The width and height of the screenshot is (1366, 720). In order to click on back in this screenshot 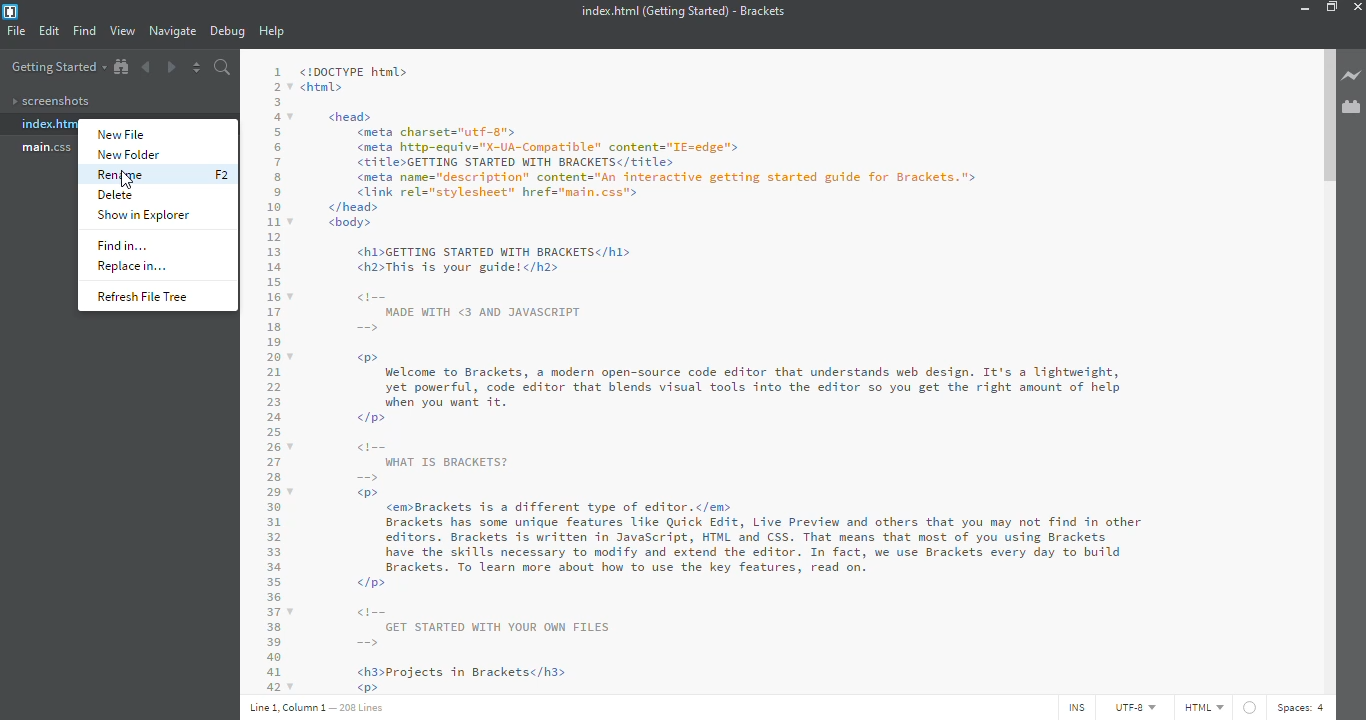, I will do `click(149, 66)`.